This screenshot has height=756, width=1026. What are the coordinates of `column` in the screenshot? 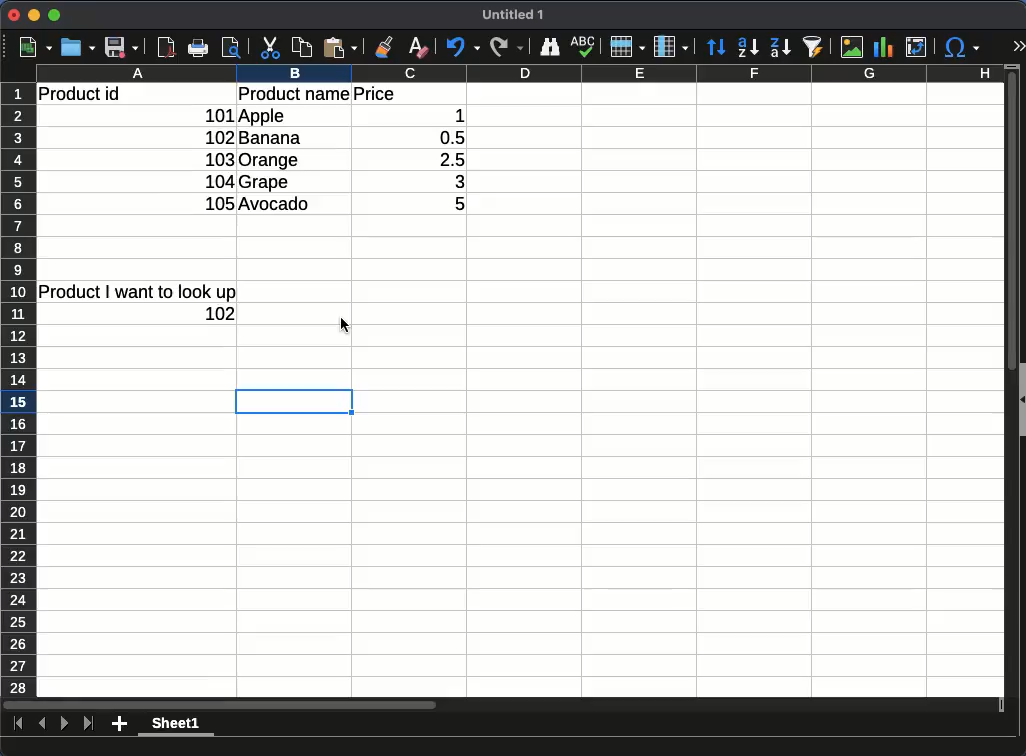 It's located at (671, 47).